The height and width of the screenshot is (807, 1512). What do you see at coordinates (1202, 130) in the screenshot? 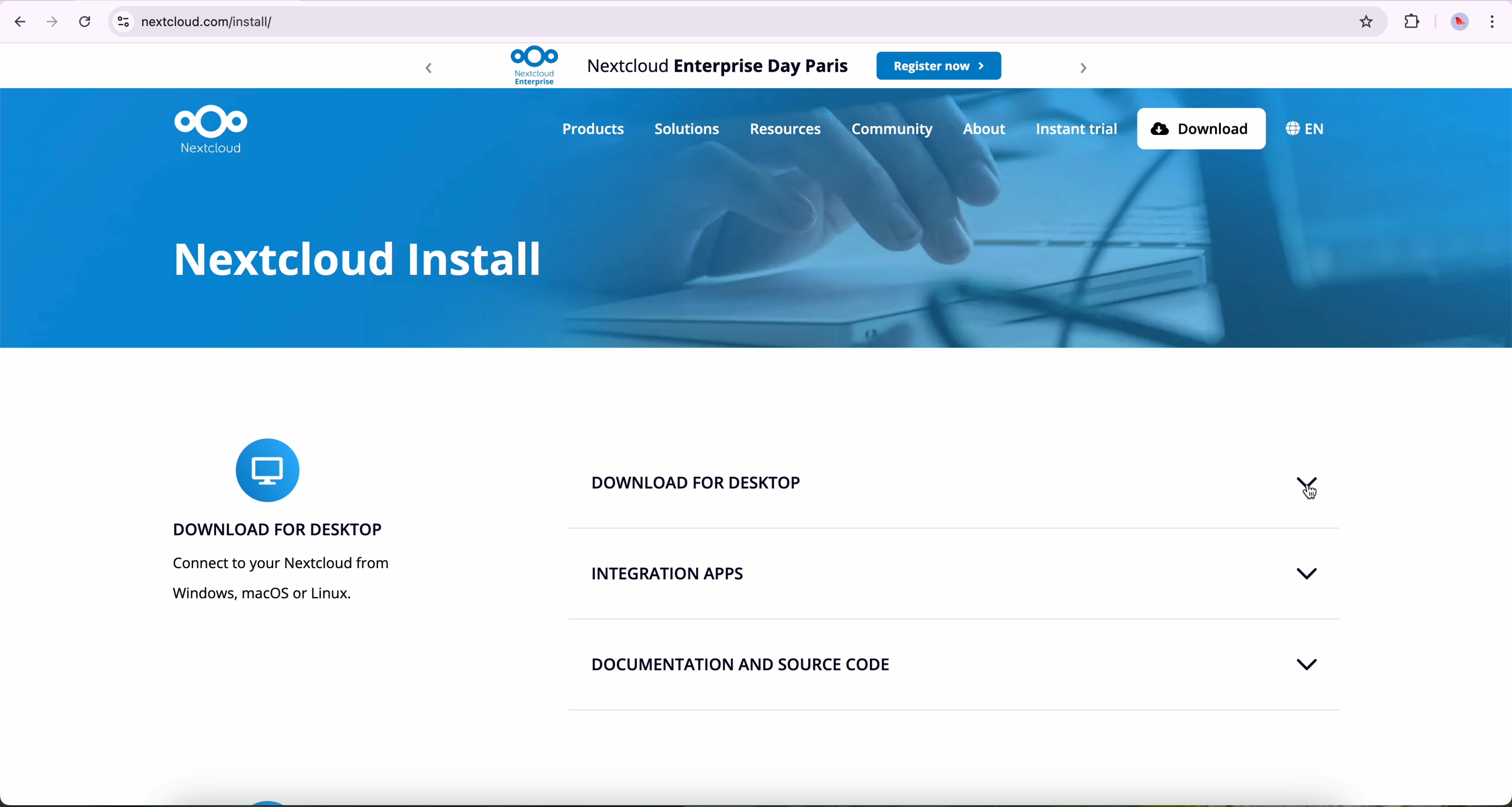
I see `download button` at bounding box center [1202, 130].